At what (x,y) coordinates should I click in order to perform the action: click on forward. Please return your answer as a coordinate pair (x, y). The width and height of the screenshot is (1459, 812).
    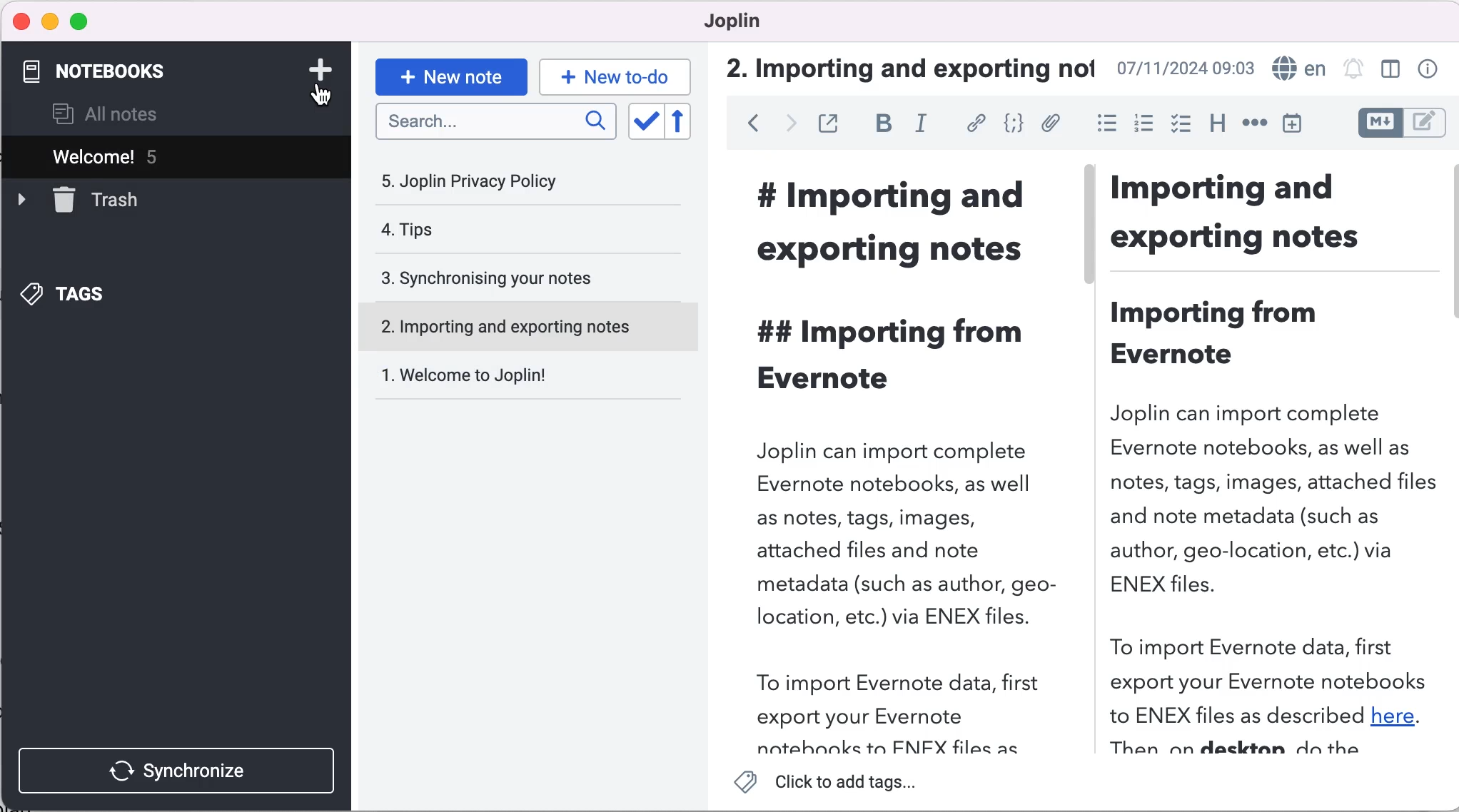
    Looking at the image, I should click on (789, 126).